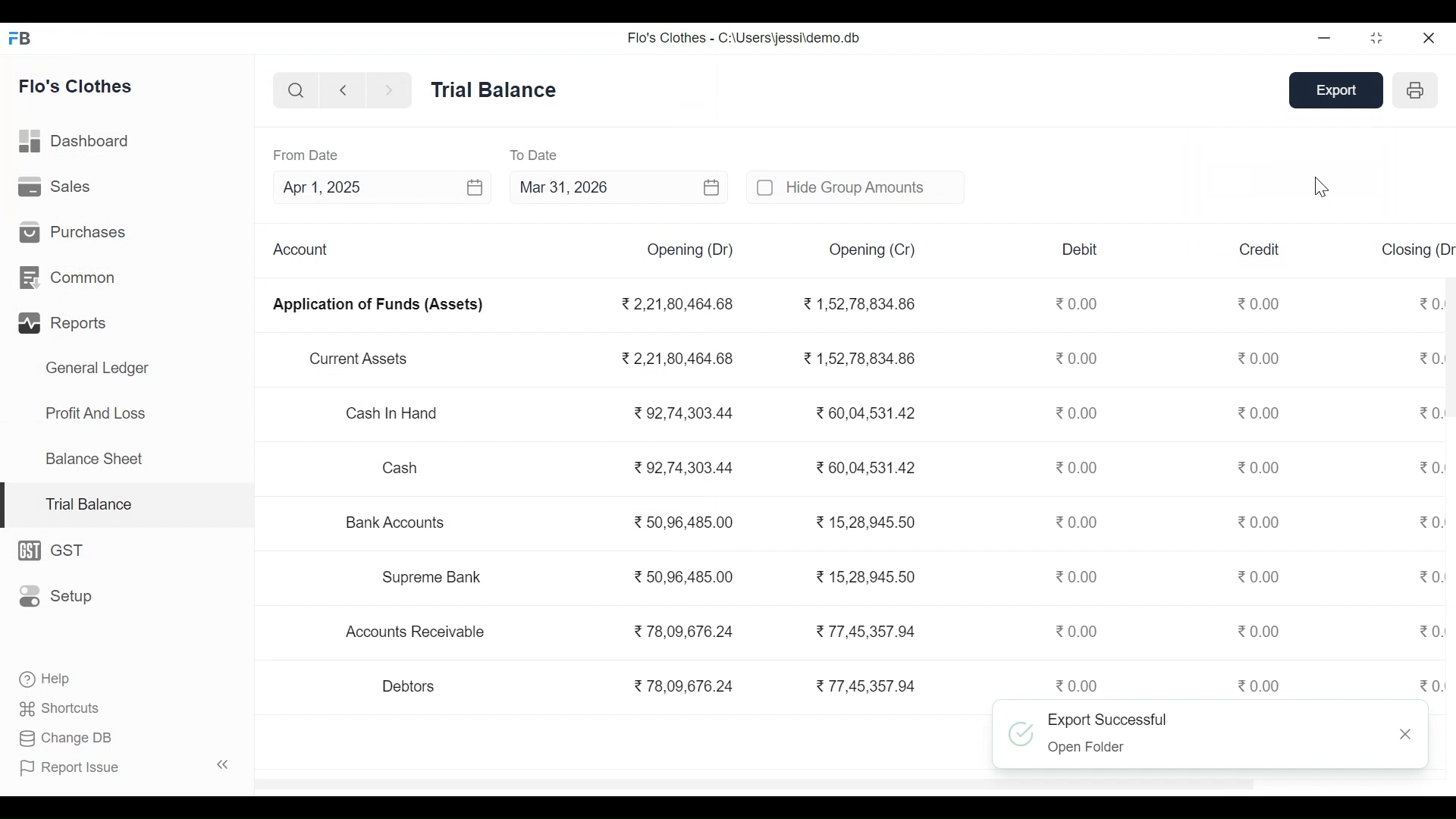 The image size is (1456, 819). I want to click on Export Successful Open Folder, so click(1195, 731).